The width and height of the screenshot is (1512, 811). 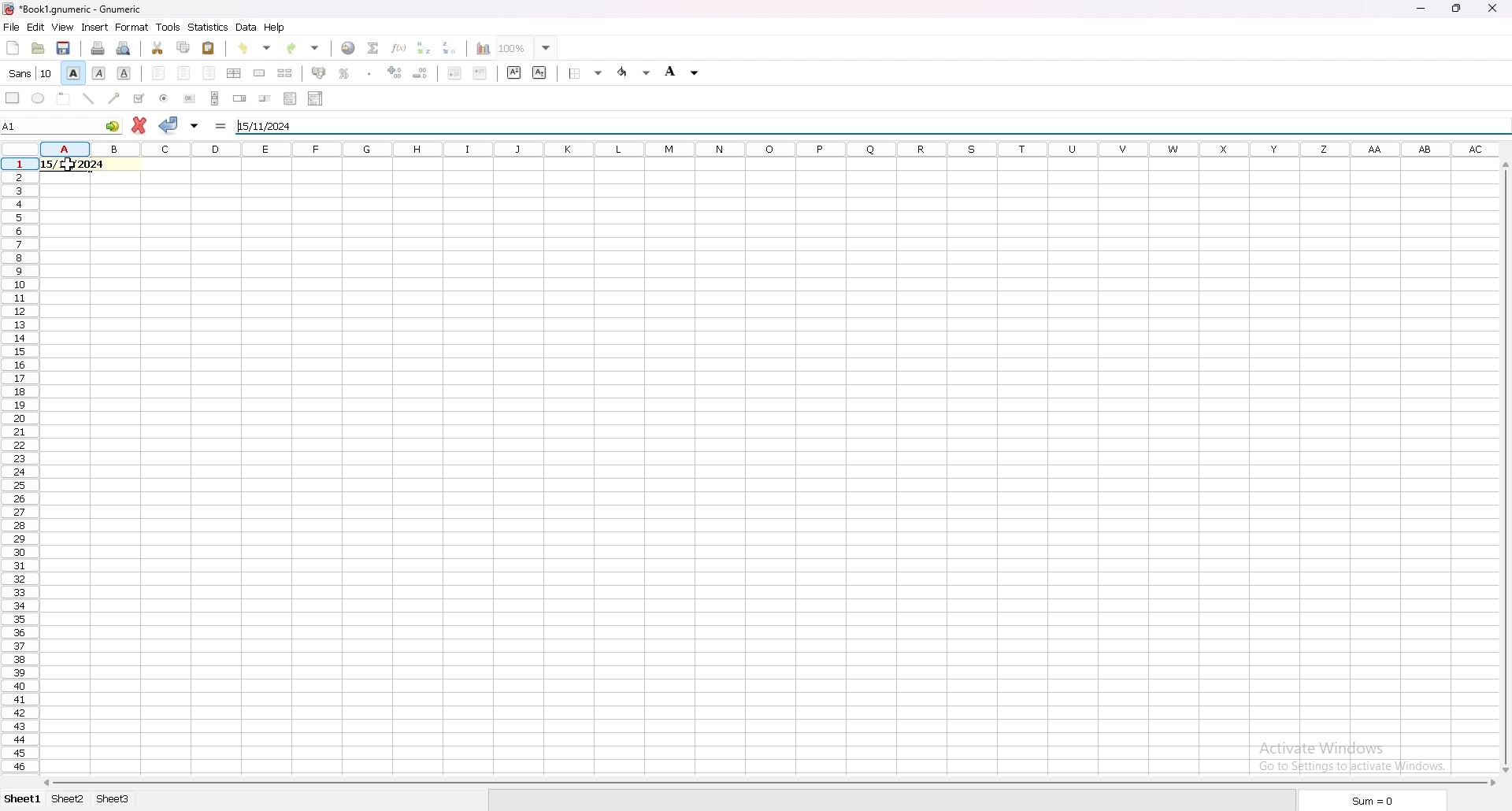 What do you see at coordinates (315, 99) in the screenshot?
I see `combo box` at bounding box center [315, 99].